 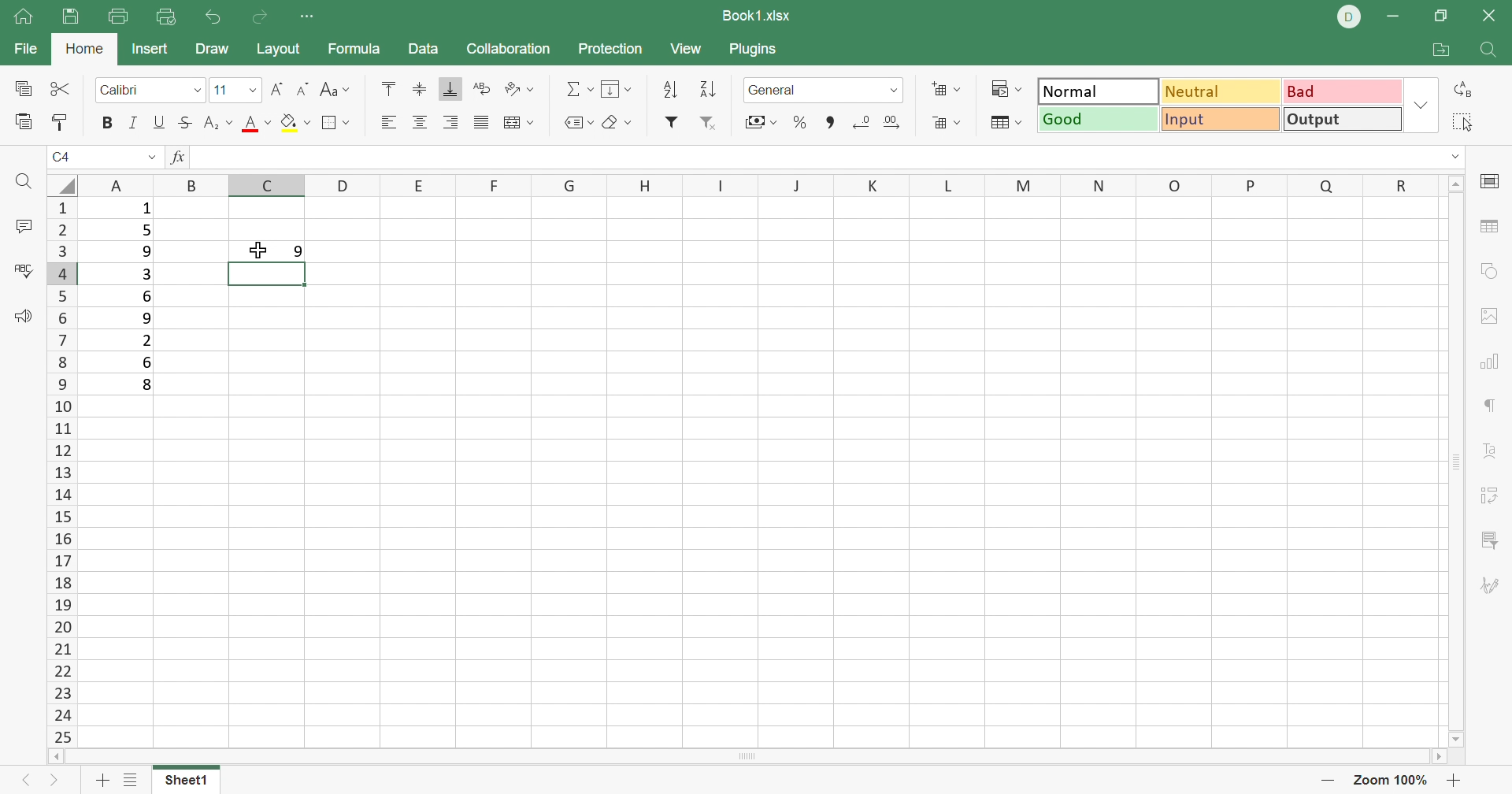 What do you see at coordinates (669, 125) in the screenshot?
I see `Filter` at bounding box center [669, 125].